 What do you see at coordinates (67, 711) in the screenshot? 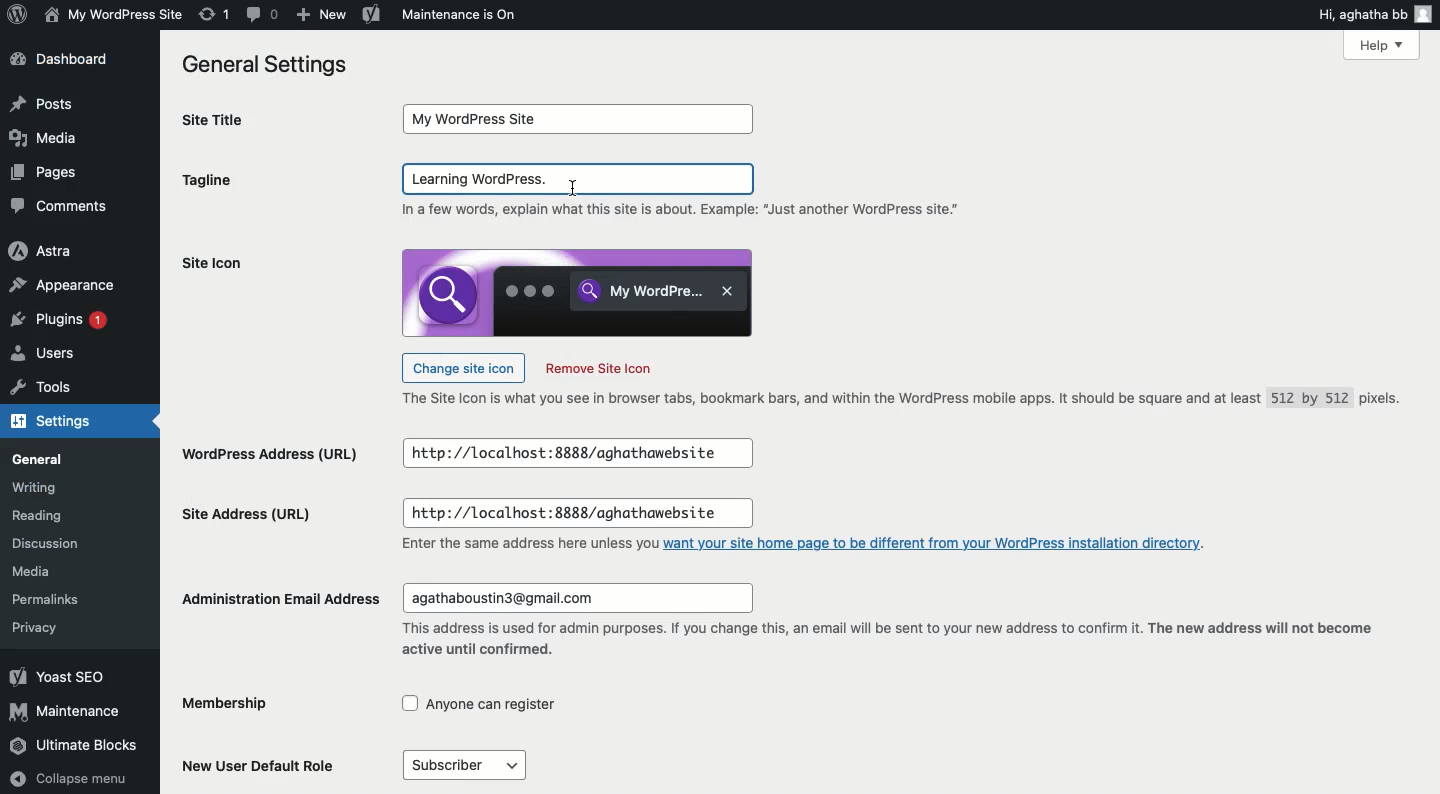
I see `Maintenance` at bounding box center [67, 711].